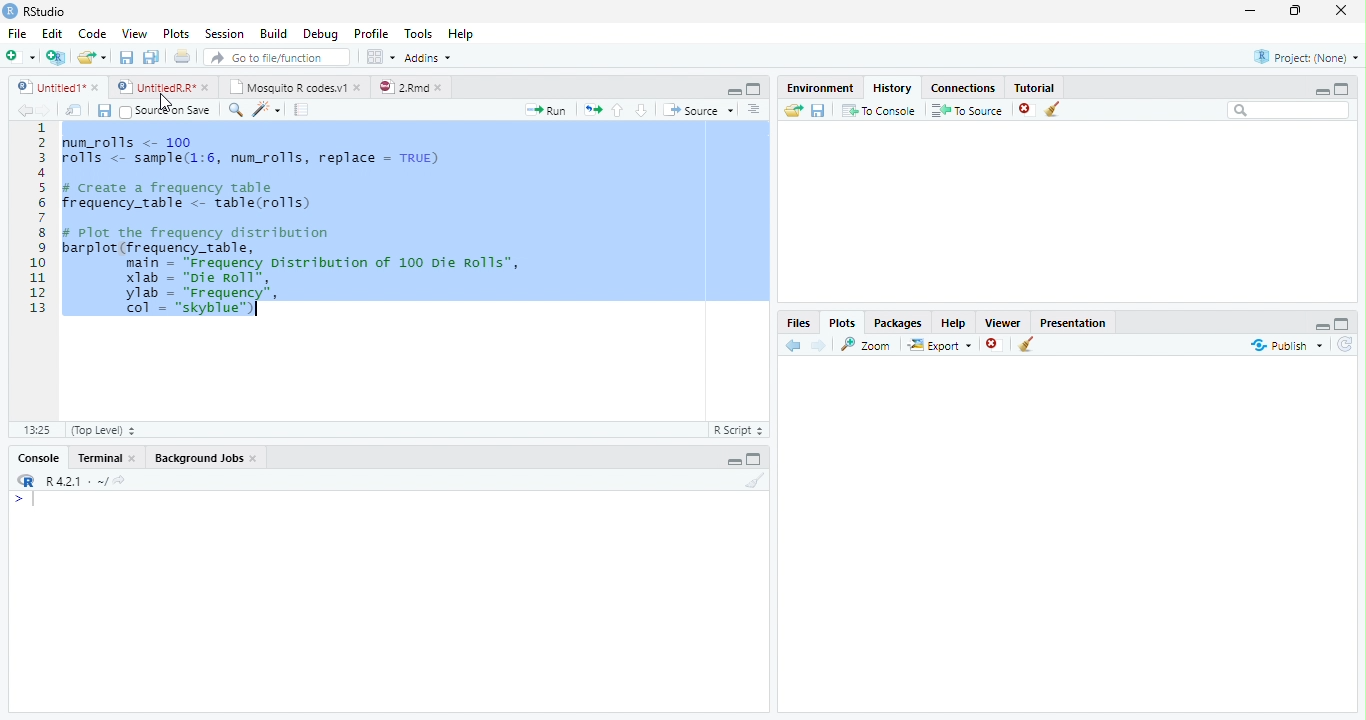 The width and height of the screenshot is (1366, 720). I want to click on Clear, so click(1053, 109).